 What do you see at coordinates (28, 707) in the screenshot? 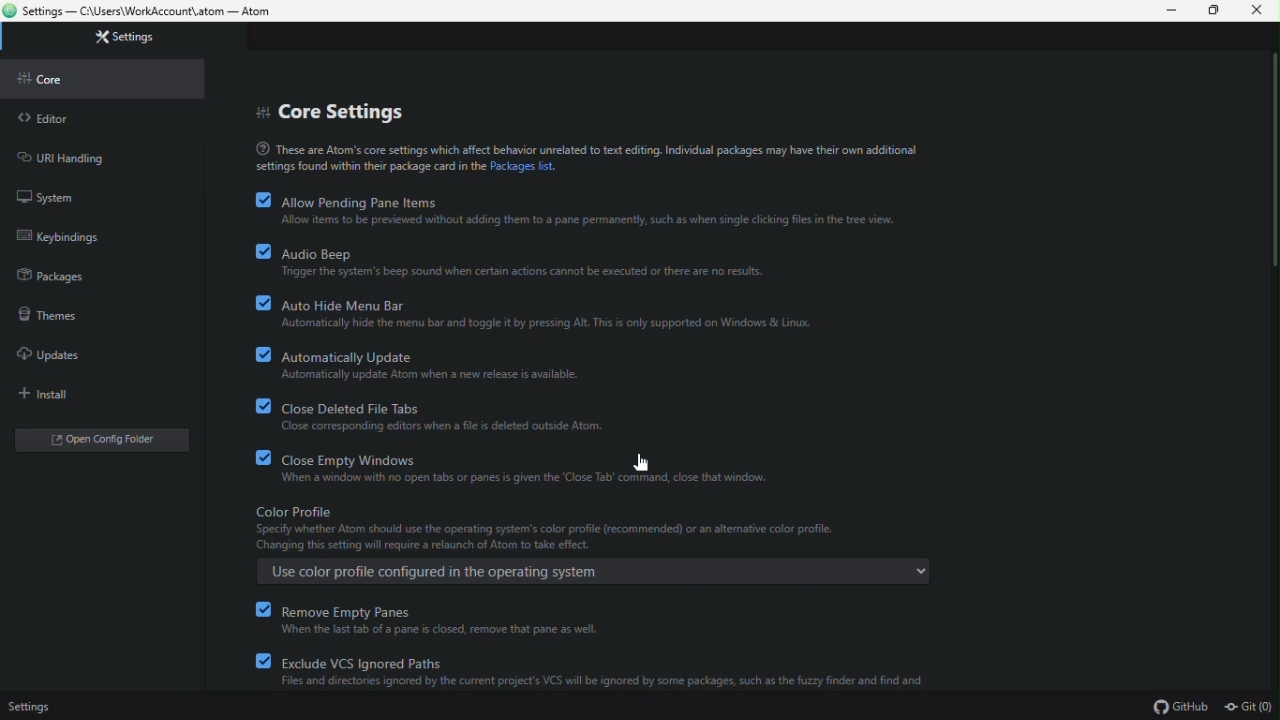
I see `Settings` at bounding box center [28, 707].